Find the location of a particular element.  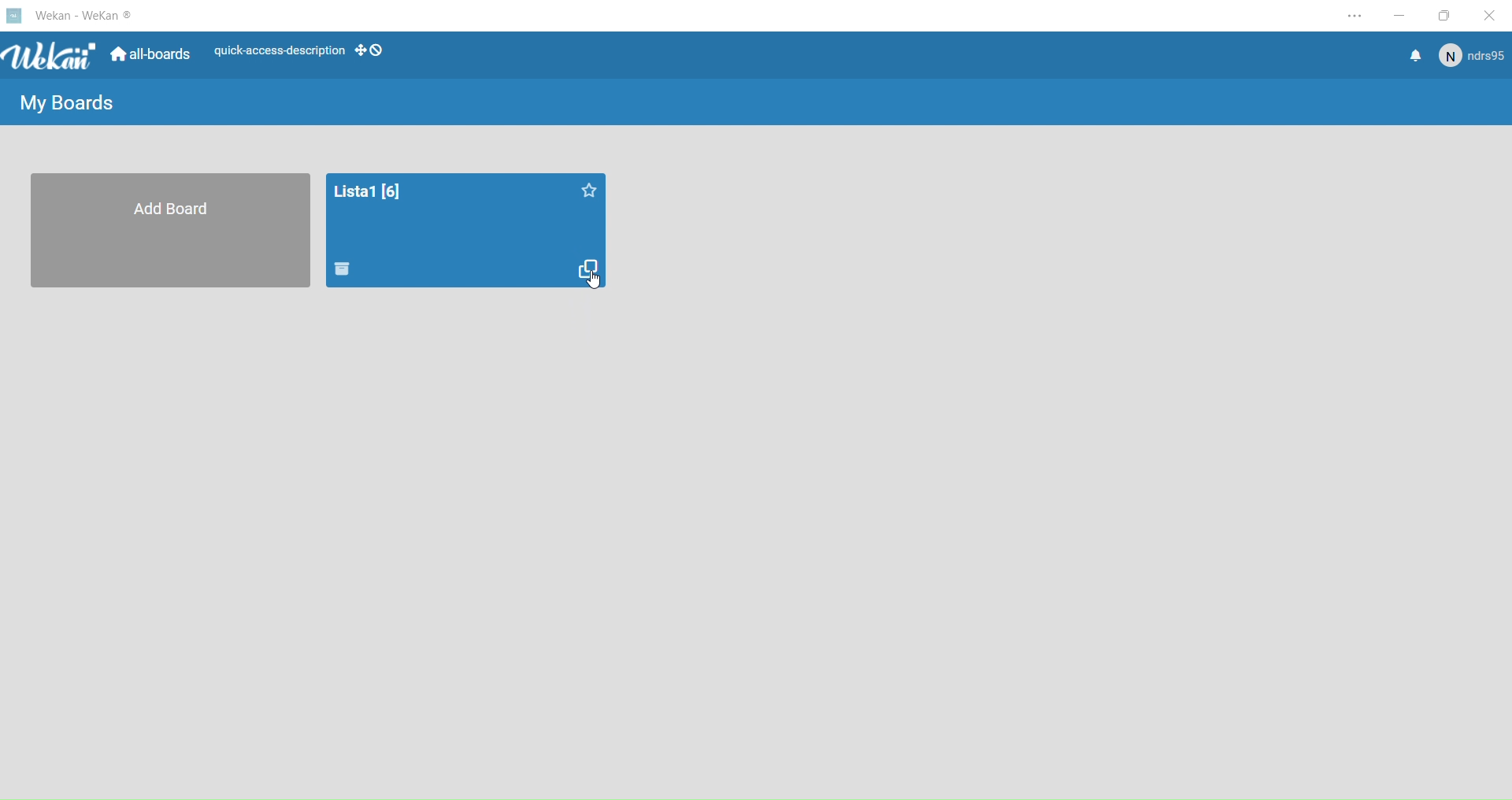

Duplicate Board is located at coordinates (588, 268).